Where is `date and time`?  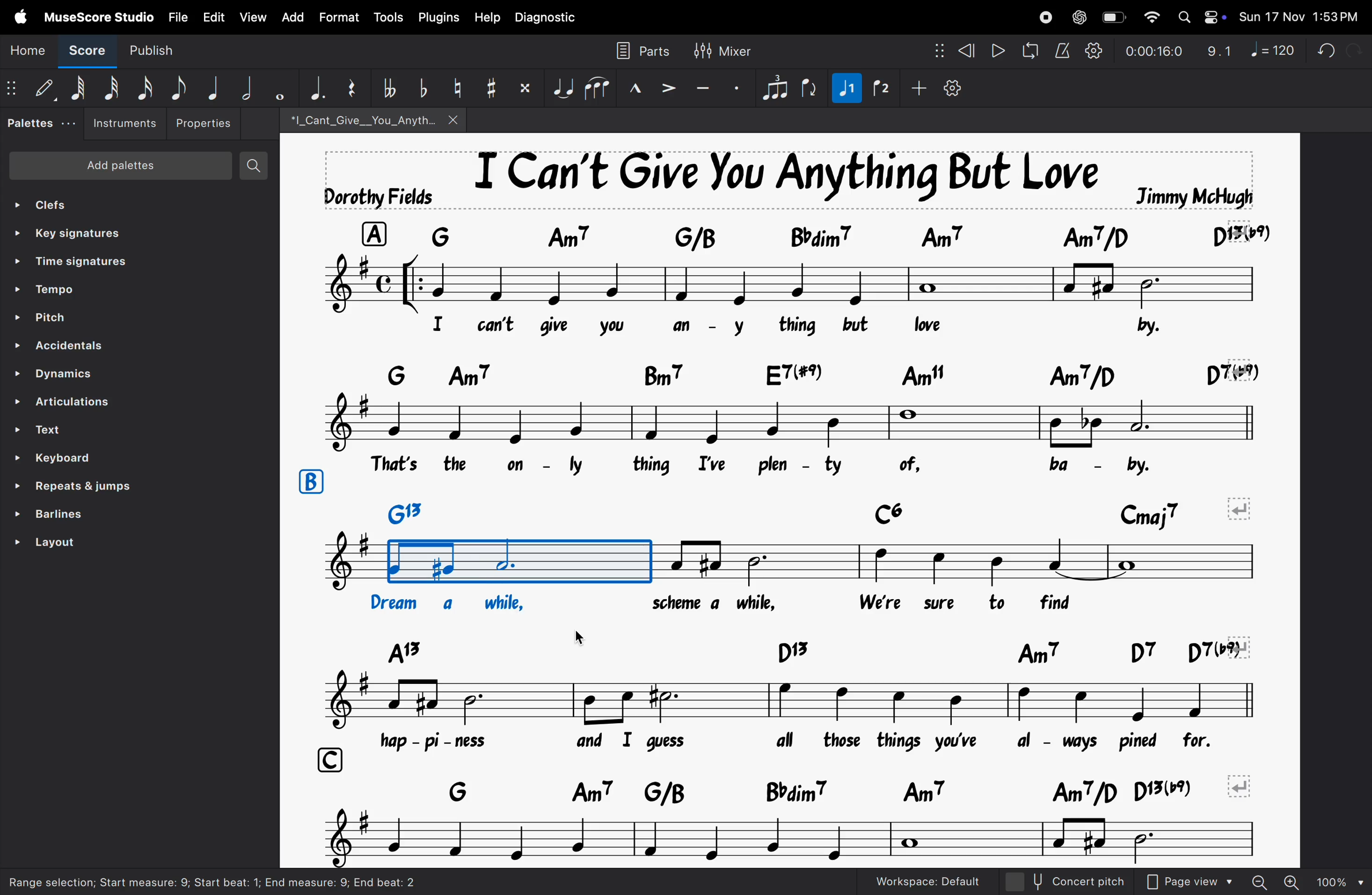
date and time is located at coordinates (1302, 14).